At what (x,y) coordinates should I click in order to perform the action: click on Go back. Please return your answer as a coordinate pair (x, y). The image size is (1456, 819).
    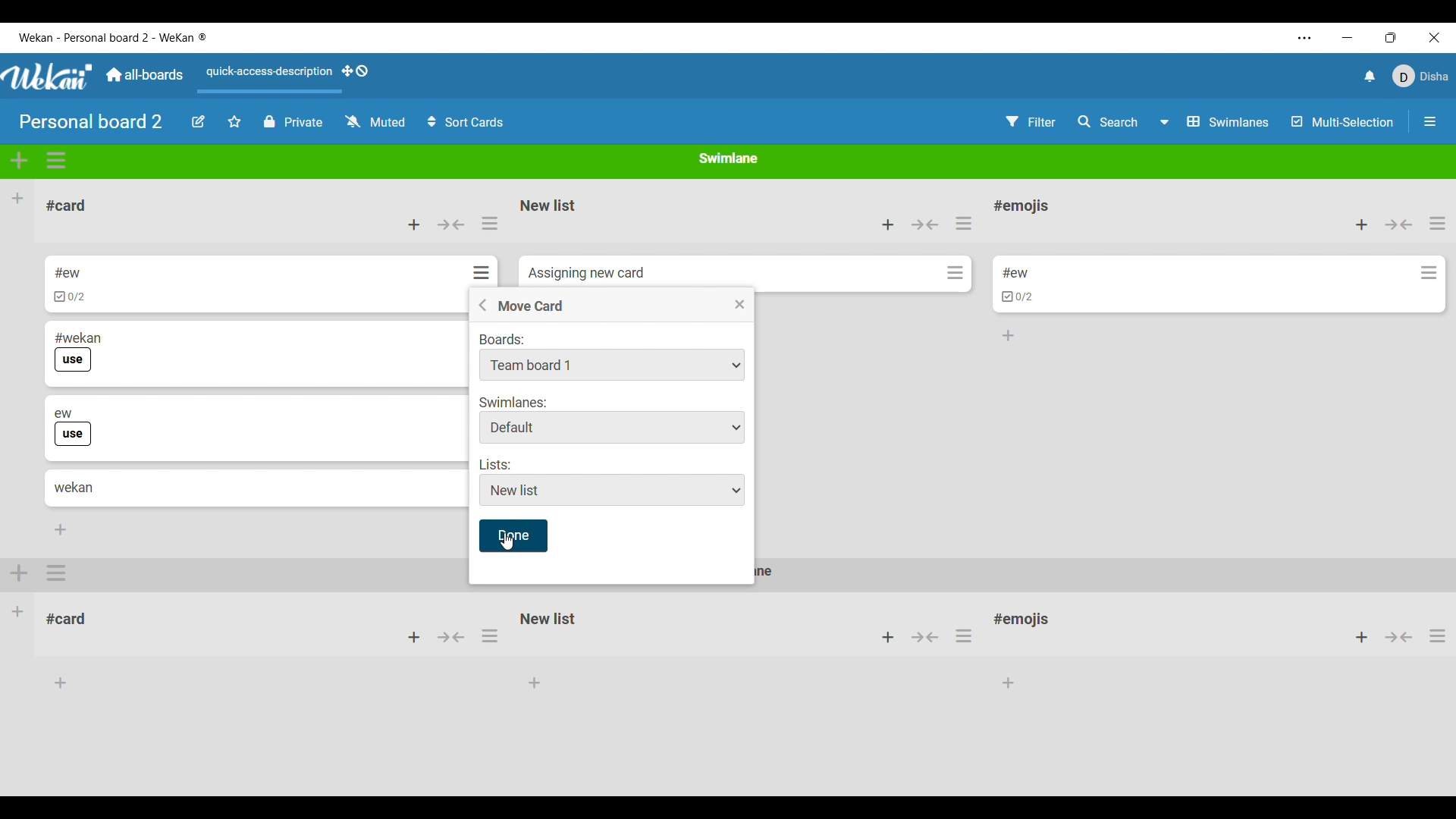
    Looking at the image, I should click on (482, 305).